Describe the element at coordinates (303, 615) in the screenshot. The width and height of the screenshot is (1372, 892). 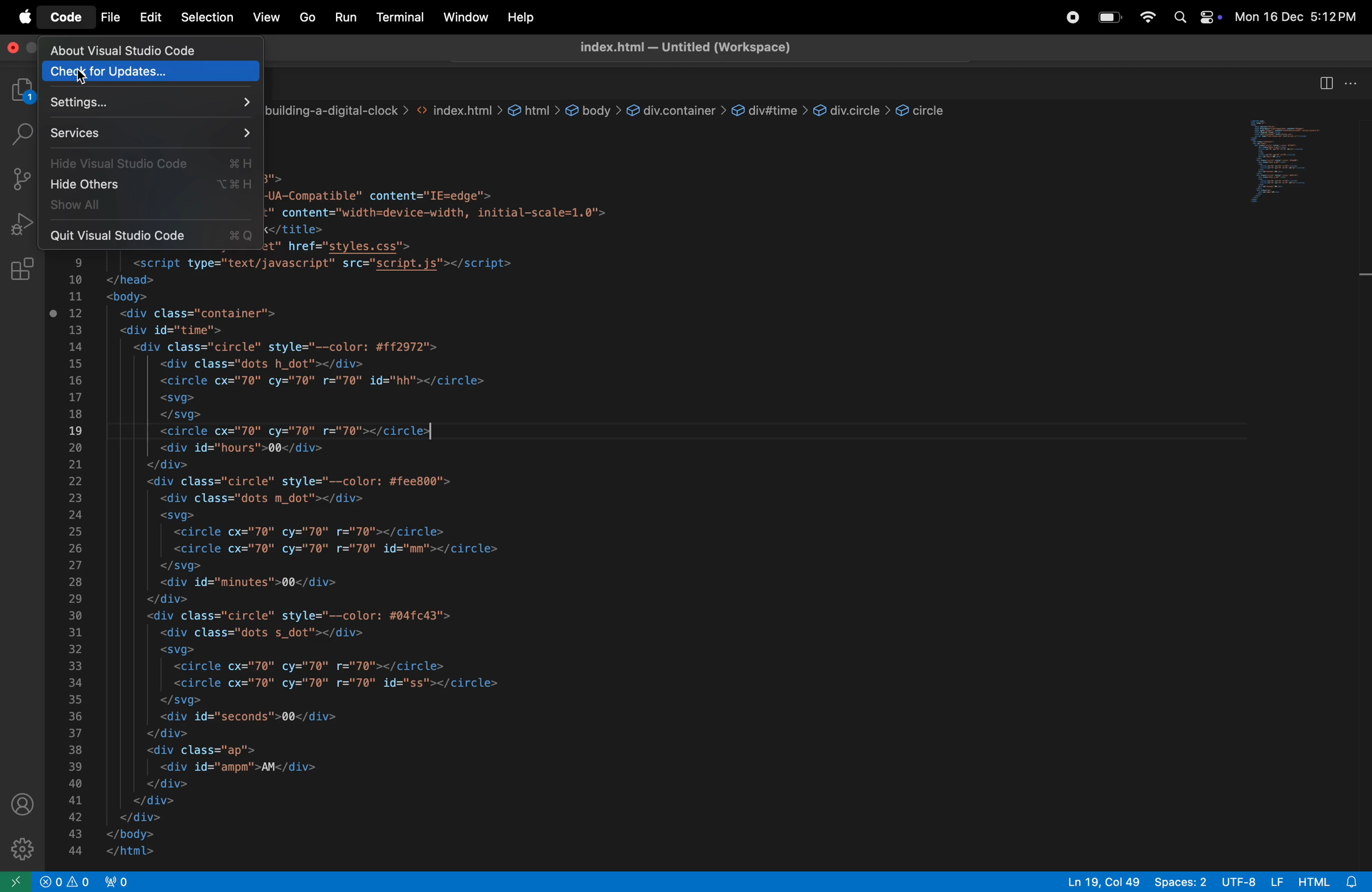
I see `<div class="circle" style="--color: #04fc43">` at that location.